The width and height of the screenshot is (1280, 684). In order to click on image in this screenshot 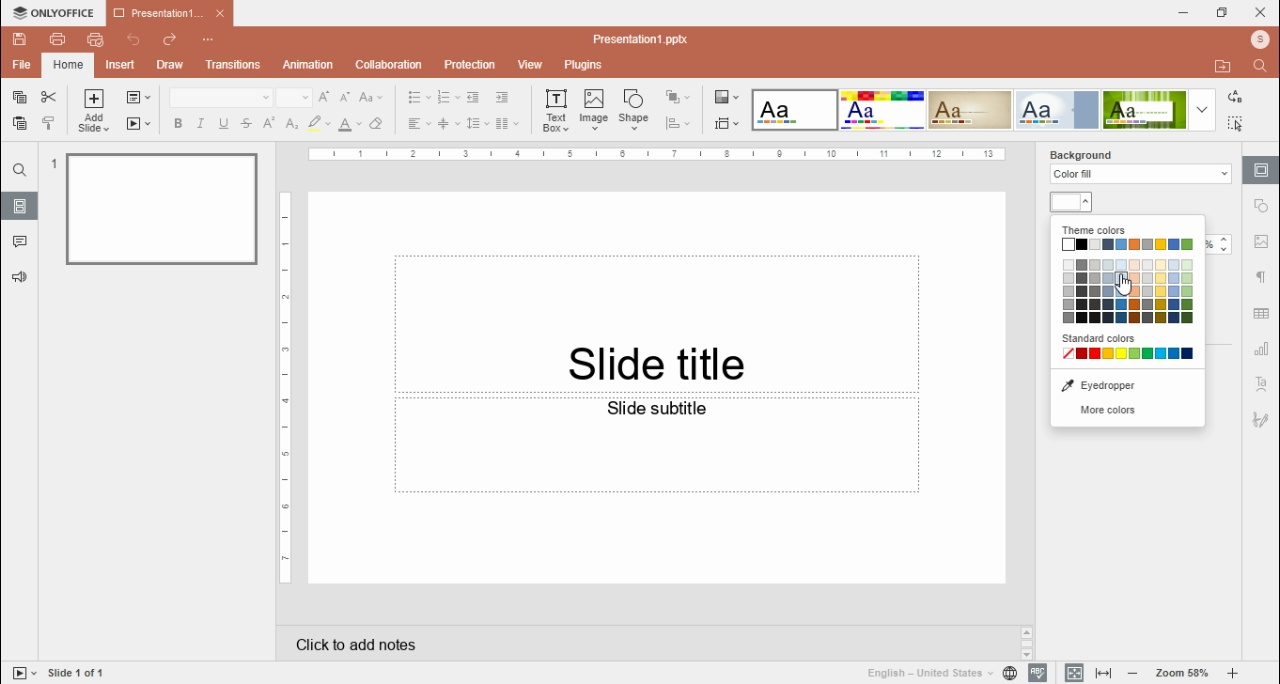, I will do `click(594, 110)`.